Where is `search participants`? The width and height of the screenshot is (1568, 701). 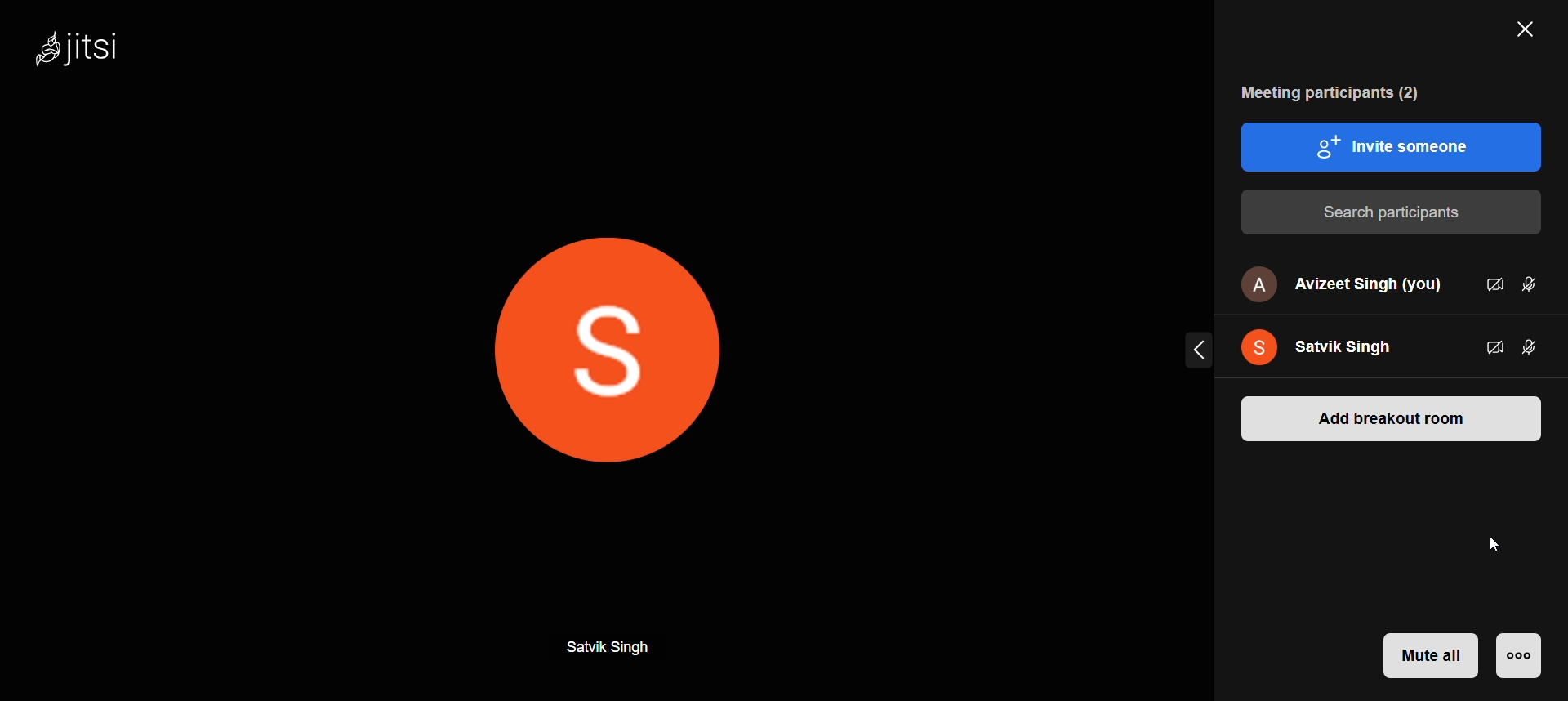
search participants is located at coordinates (1390, 212).